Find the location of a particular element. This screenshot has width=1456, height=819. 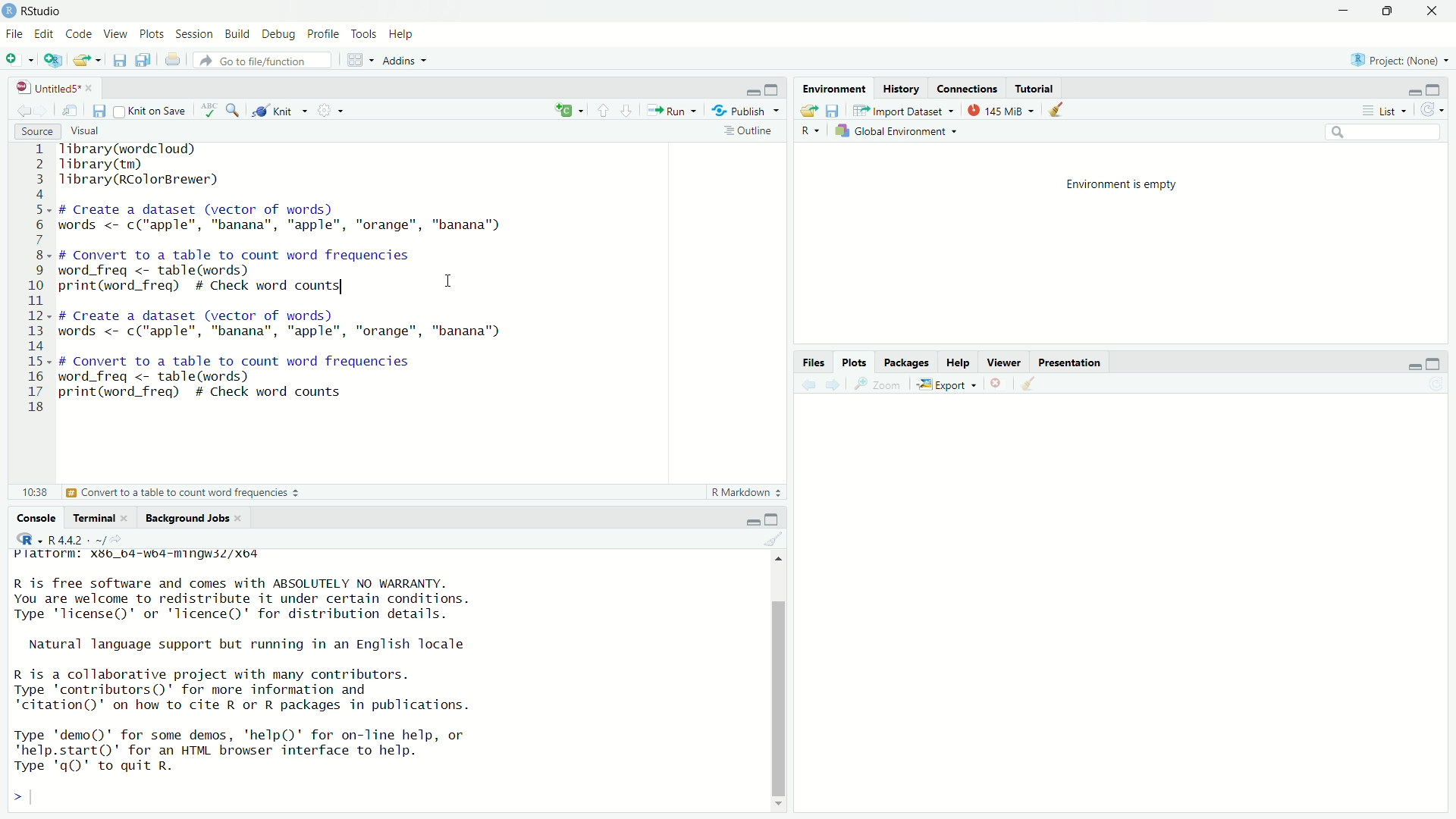

Number line is located at coordinates (36, 279).